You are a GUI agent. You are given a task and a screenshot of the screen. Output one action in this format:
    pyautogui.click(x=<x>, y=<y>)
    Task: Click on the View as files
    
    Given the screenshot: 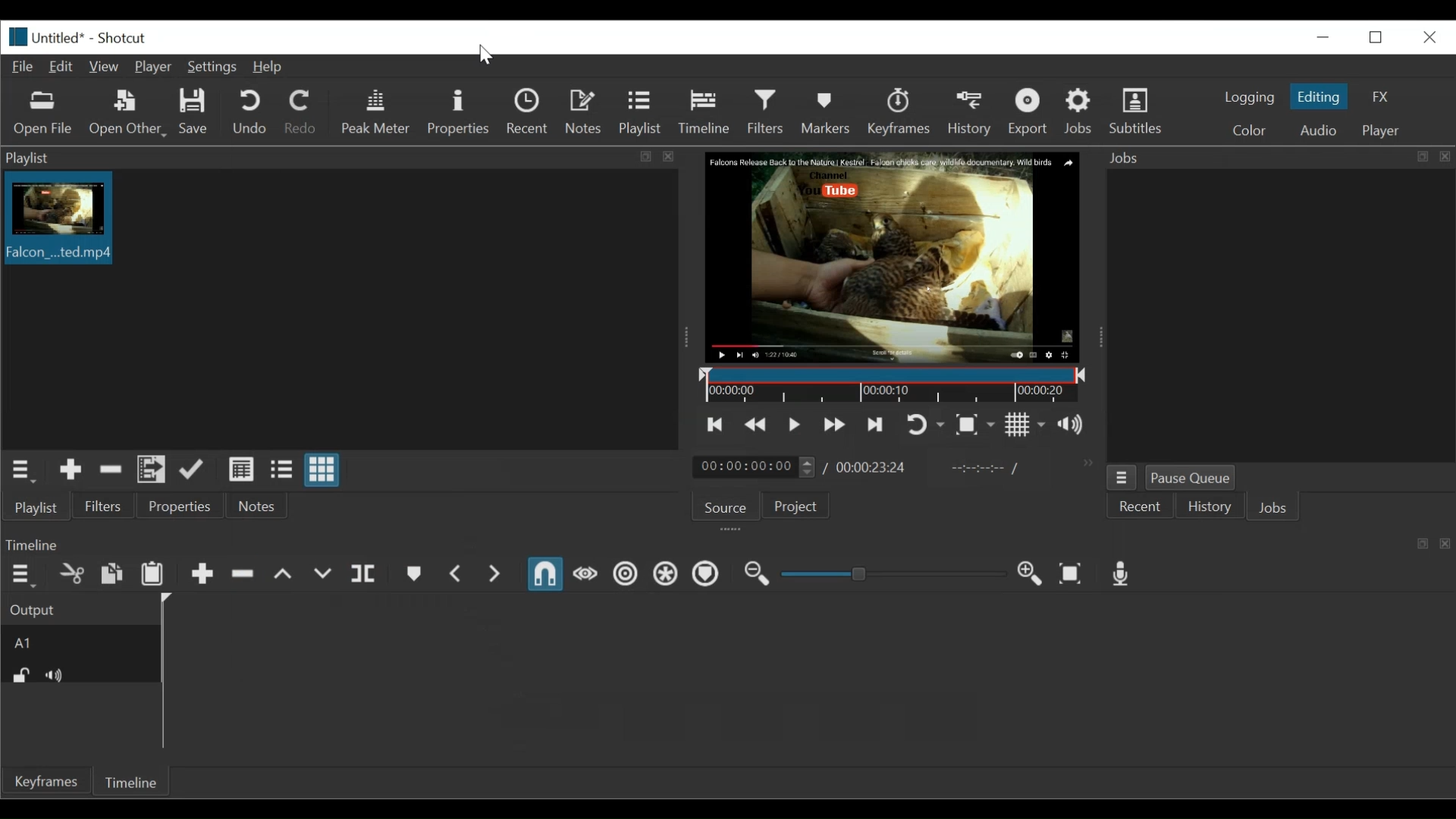 What is the action you would take?
    pyautogui.click(x=283, y=471)
    